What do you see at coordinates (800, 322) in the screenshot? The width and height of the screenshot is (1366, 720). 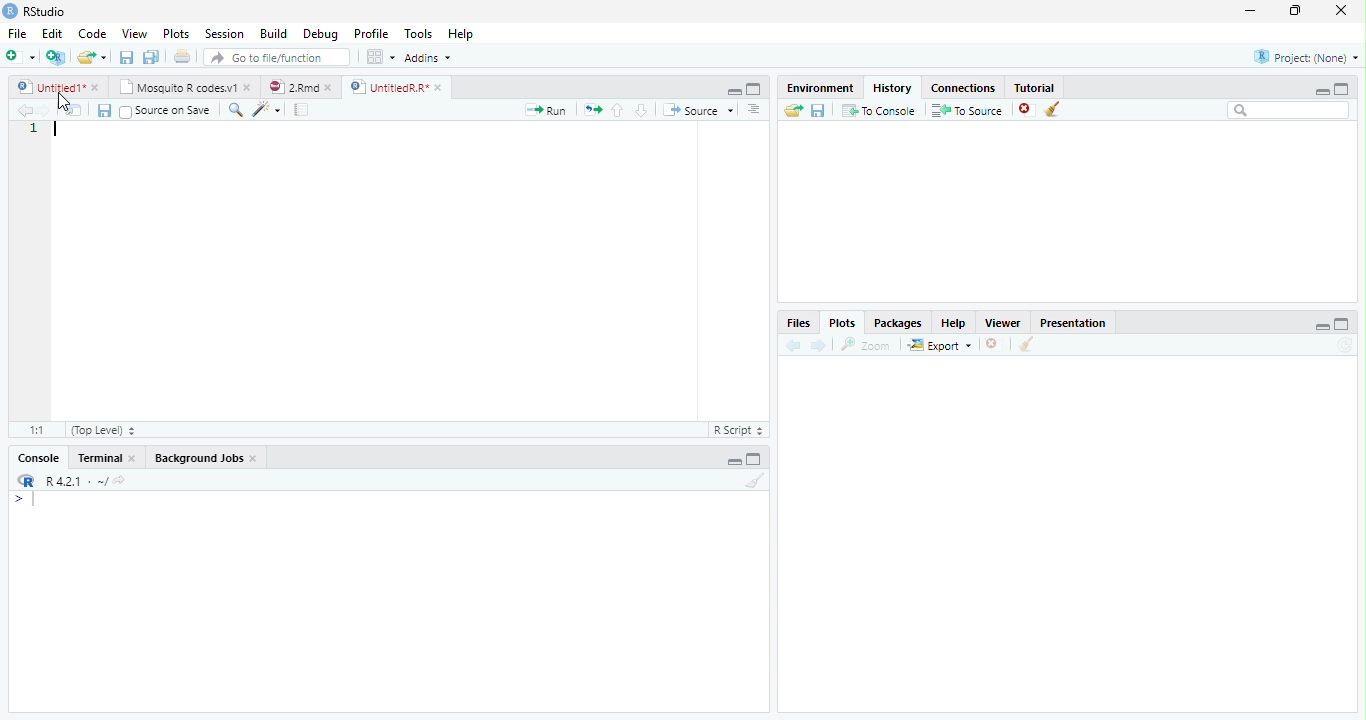 I see `Files` at bounding box center [800, 322].